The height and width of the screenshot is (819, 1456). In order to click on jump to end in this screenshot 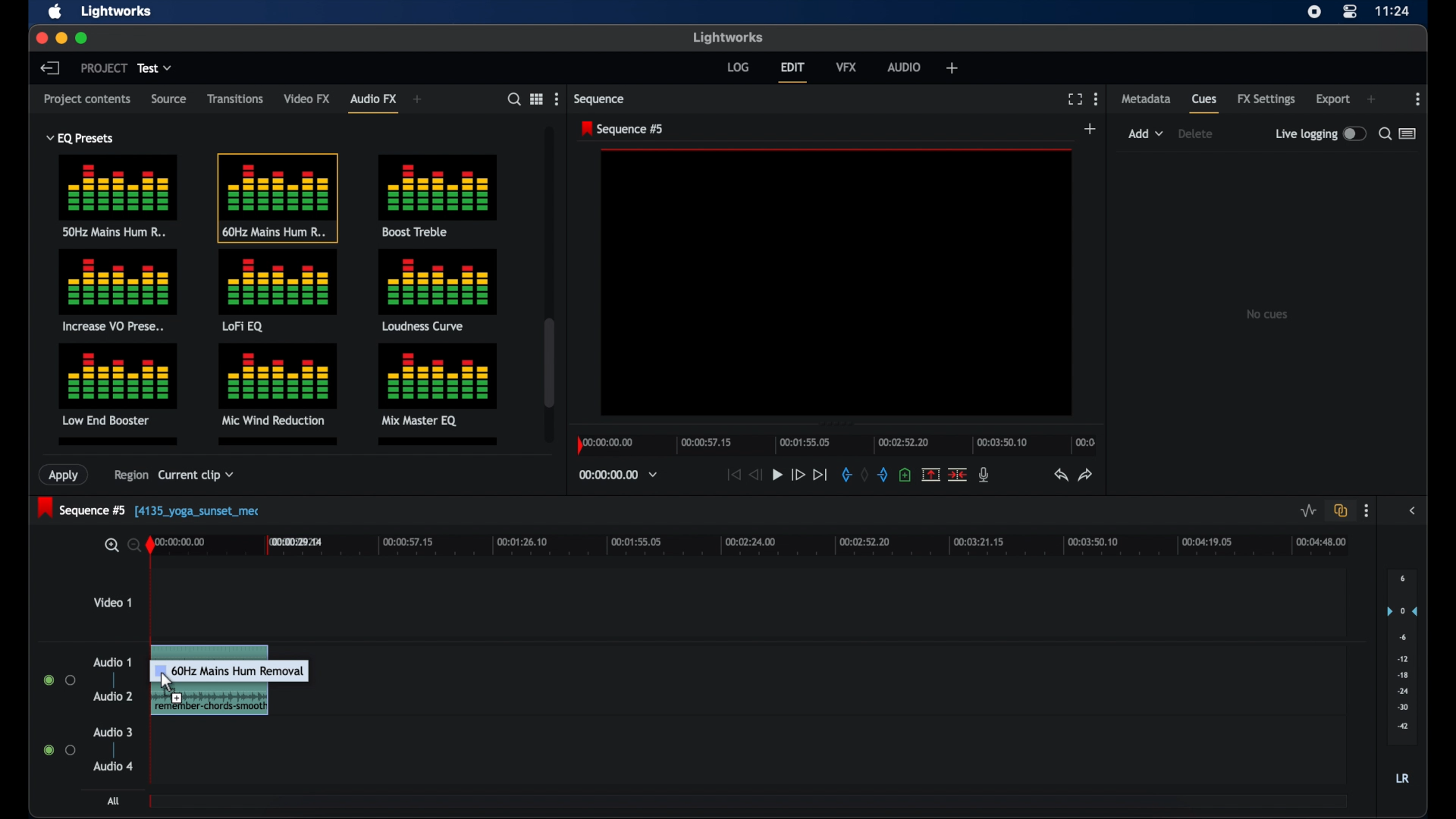, I will do `click(820, 474)`.